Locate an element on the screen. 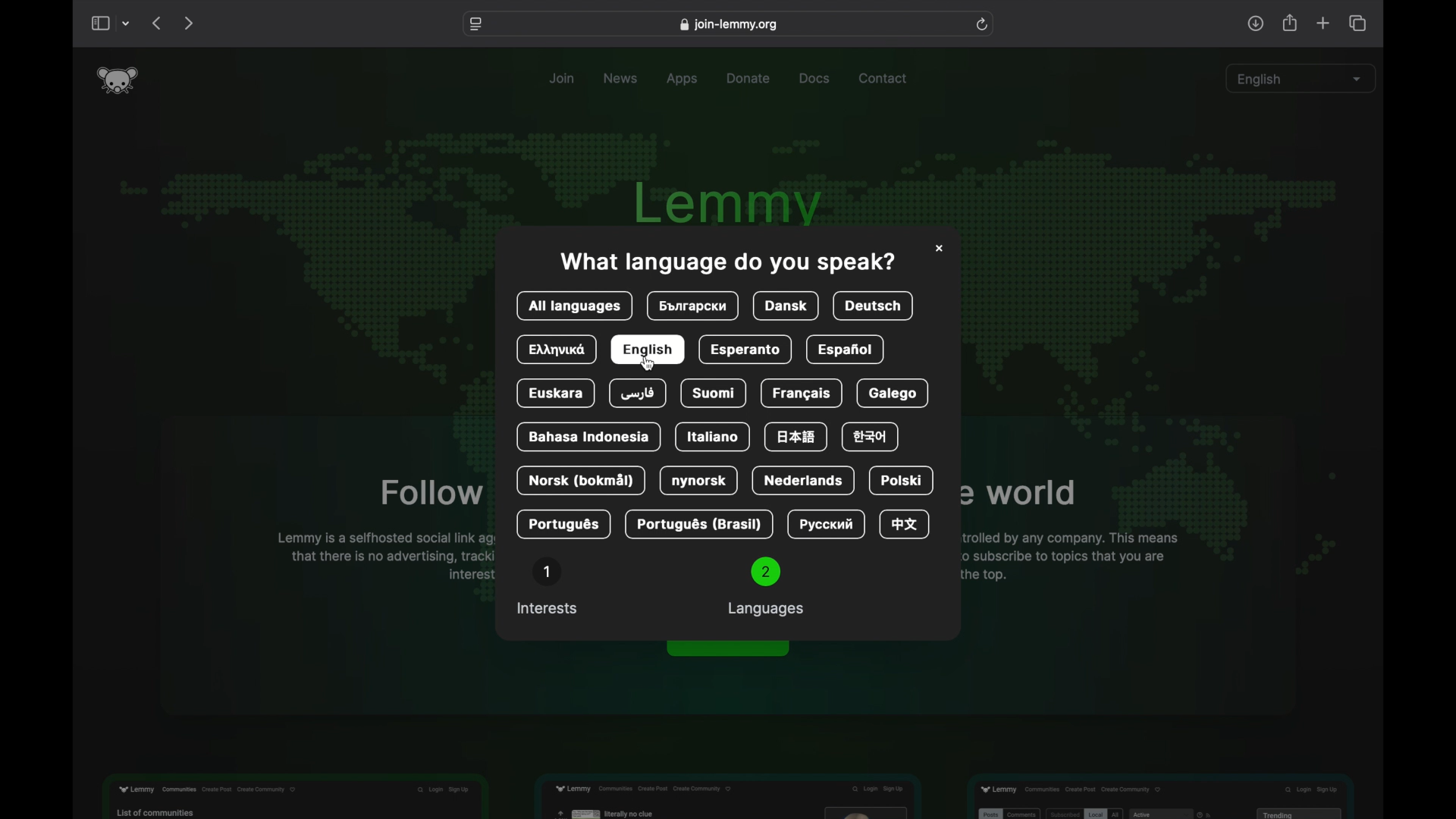  lemmy is located at coordinates (118, 80).